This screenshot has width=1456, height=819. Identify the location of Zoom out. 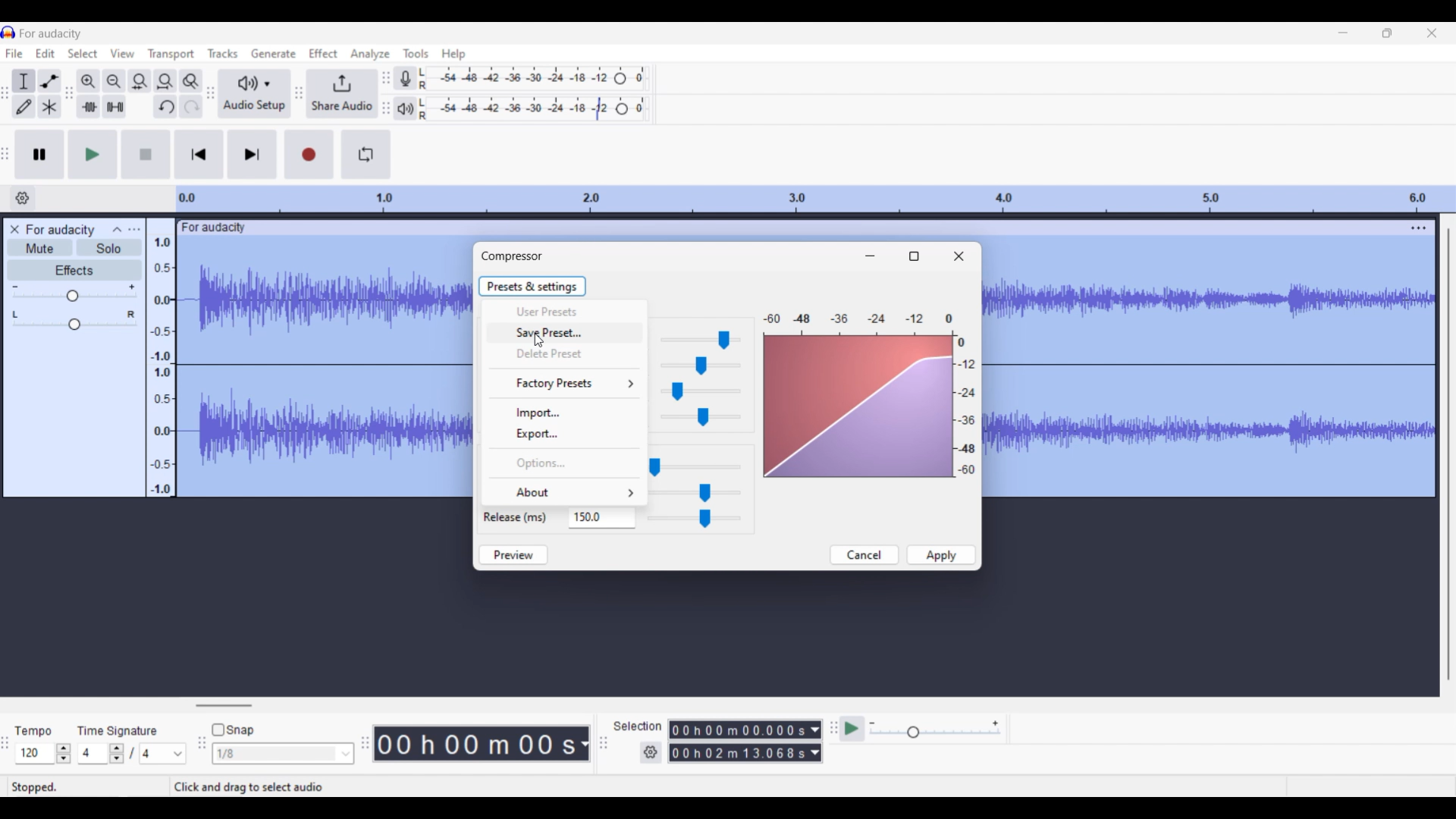
(115, 81).